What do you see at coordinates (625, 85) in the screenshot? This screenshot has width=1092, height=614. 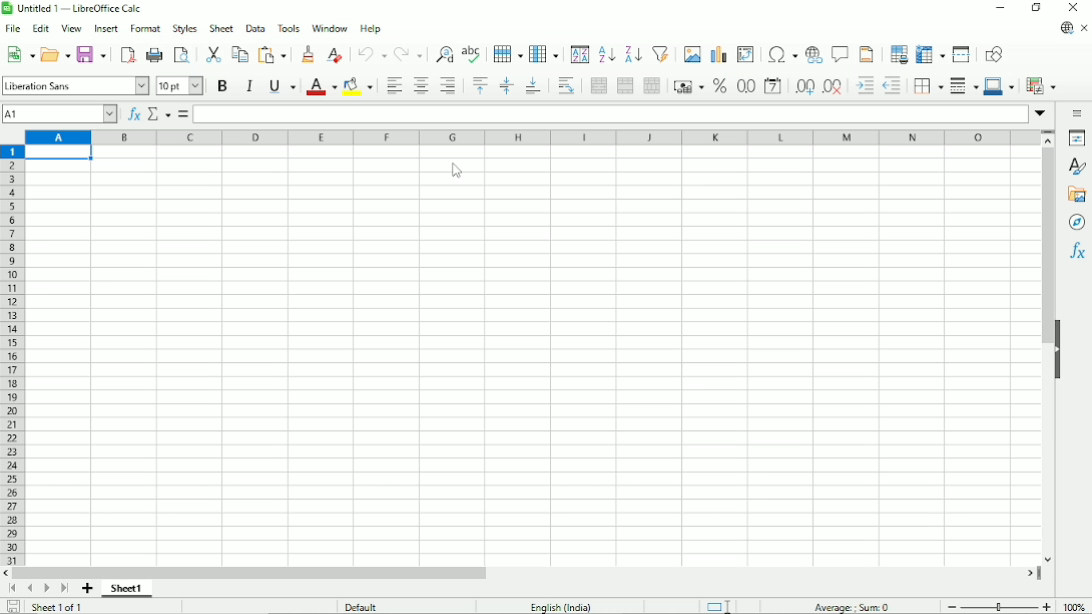 I see `Merge cells` at bounding box center [625, 85].